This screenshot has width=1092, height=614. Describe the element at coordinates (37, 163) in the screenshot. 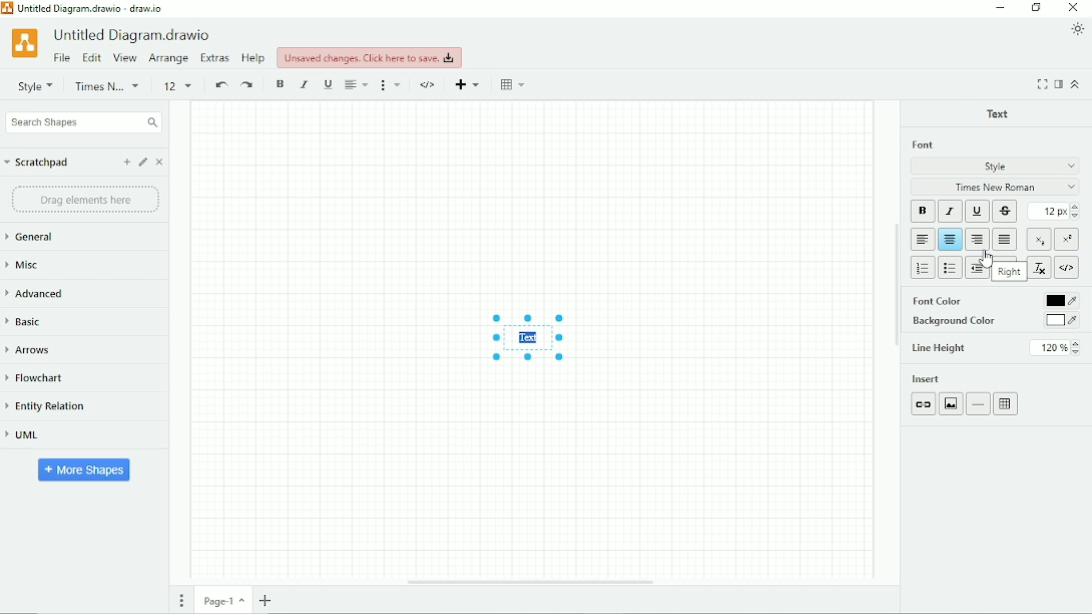

I see `Scratchpad` at that location.